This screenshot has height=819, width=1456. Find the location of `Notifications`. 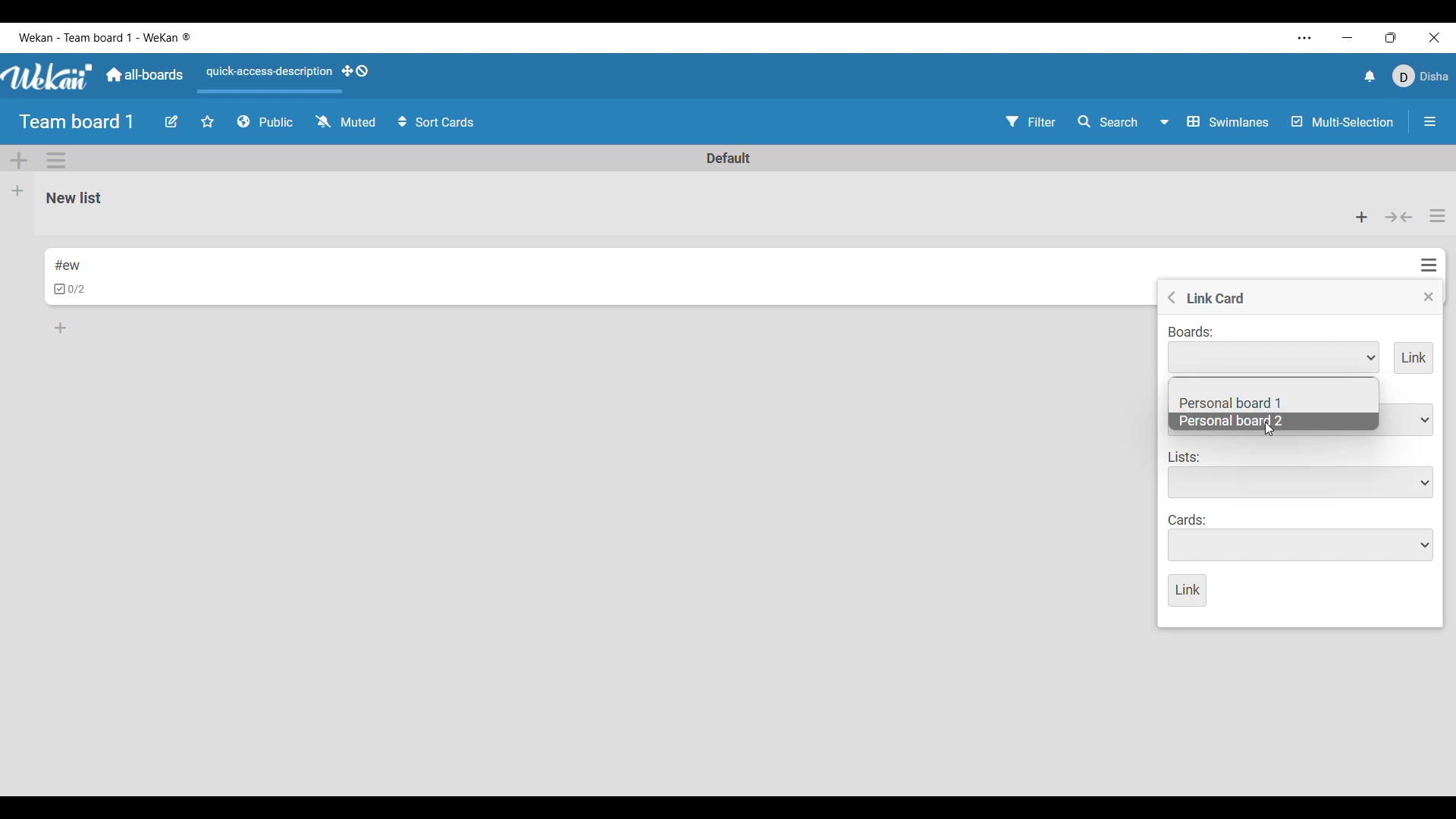

Notifications is located at coordinates (1370, 76).